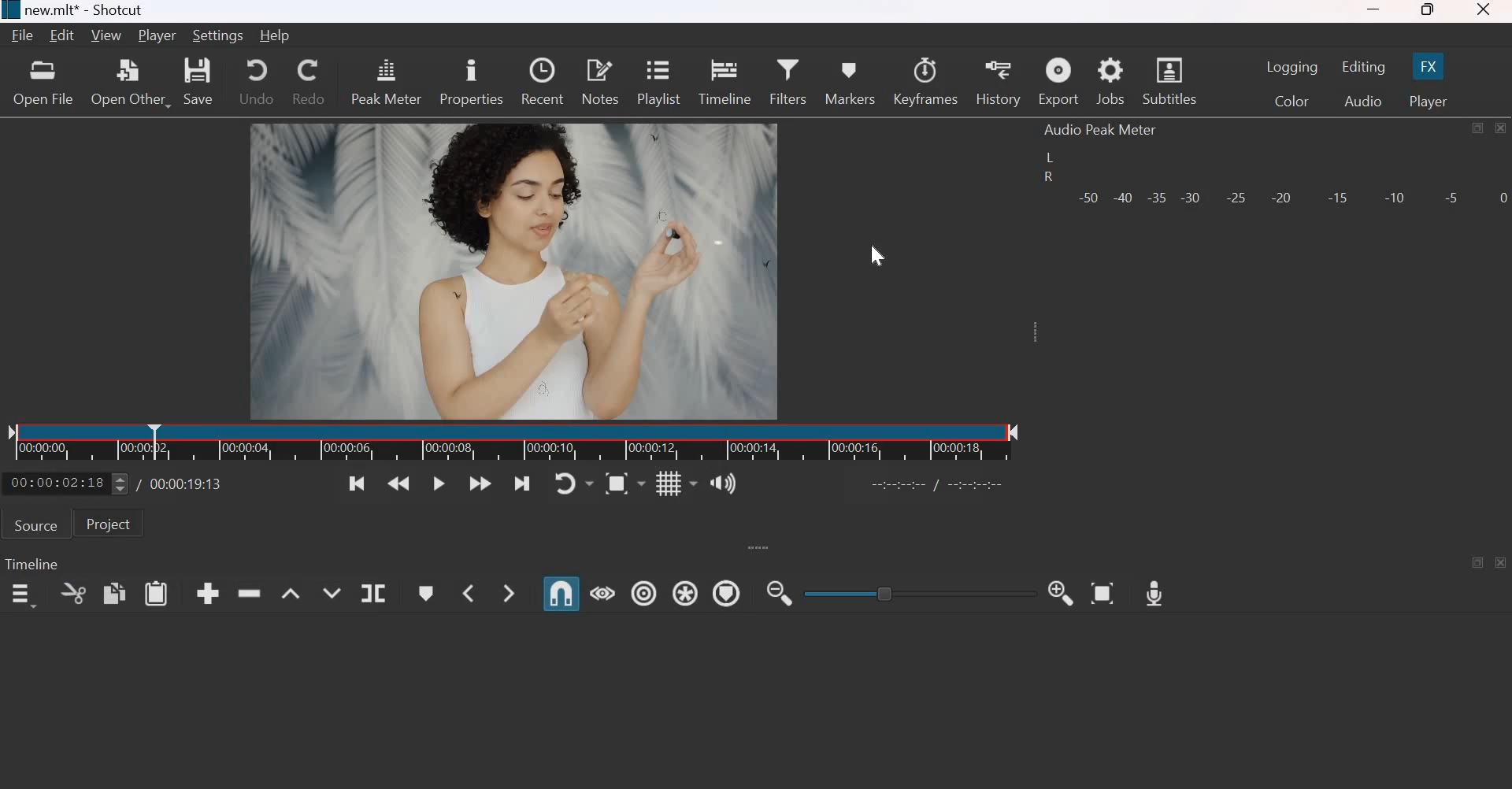 This screenshot has height=789, width=1512. I want to click on Skip to the previous point, so click(360, 483).